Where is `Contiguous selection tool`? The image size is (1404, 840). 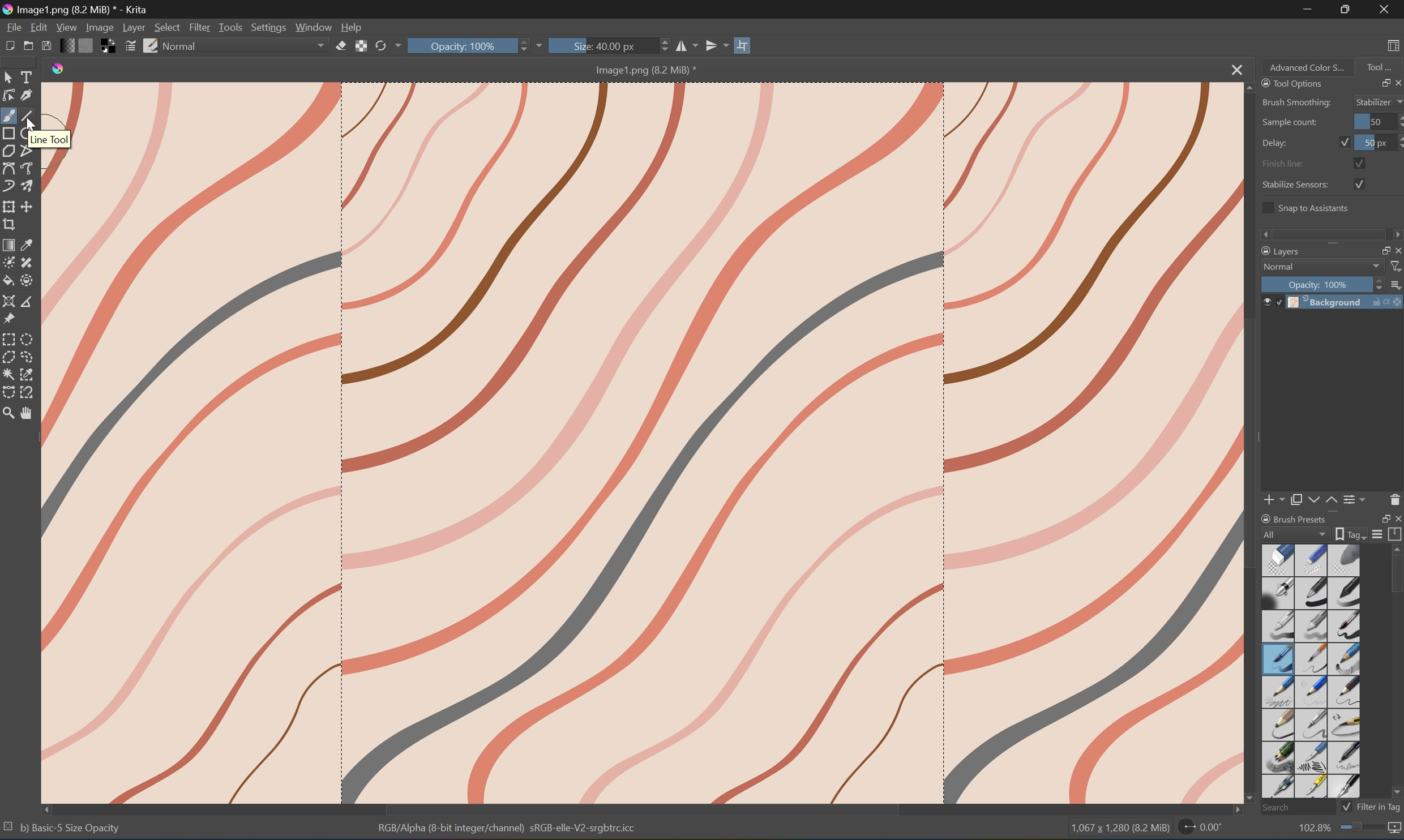 Contiguous selection tool is located at coordinates (9, 374).